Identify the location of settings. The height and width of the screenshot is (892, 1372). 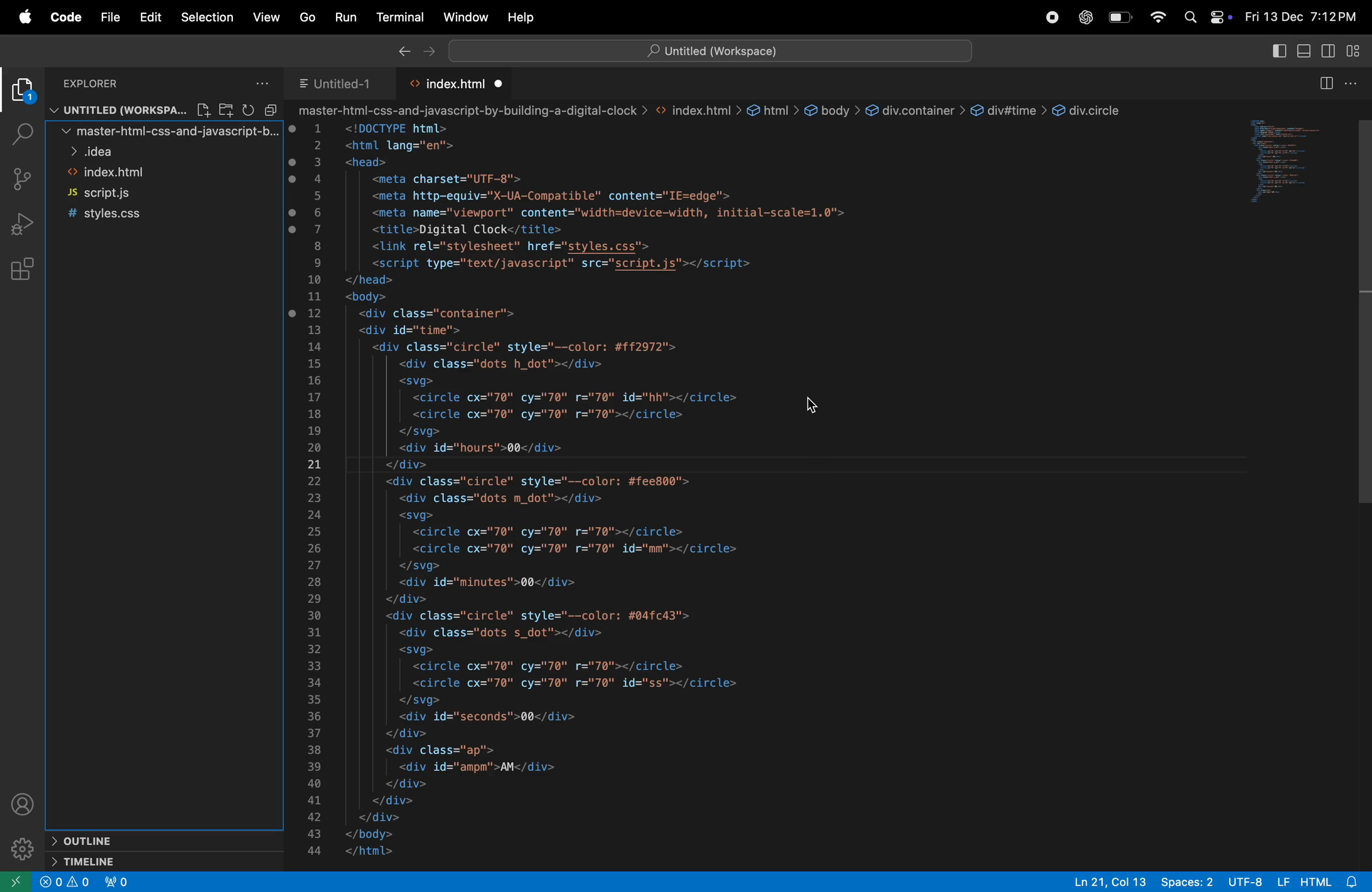
(24, 849).